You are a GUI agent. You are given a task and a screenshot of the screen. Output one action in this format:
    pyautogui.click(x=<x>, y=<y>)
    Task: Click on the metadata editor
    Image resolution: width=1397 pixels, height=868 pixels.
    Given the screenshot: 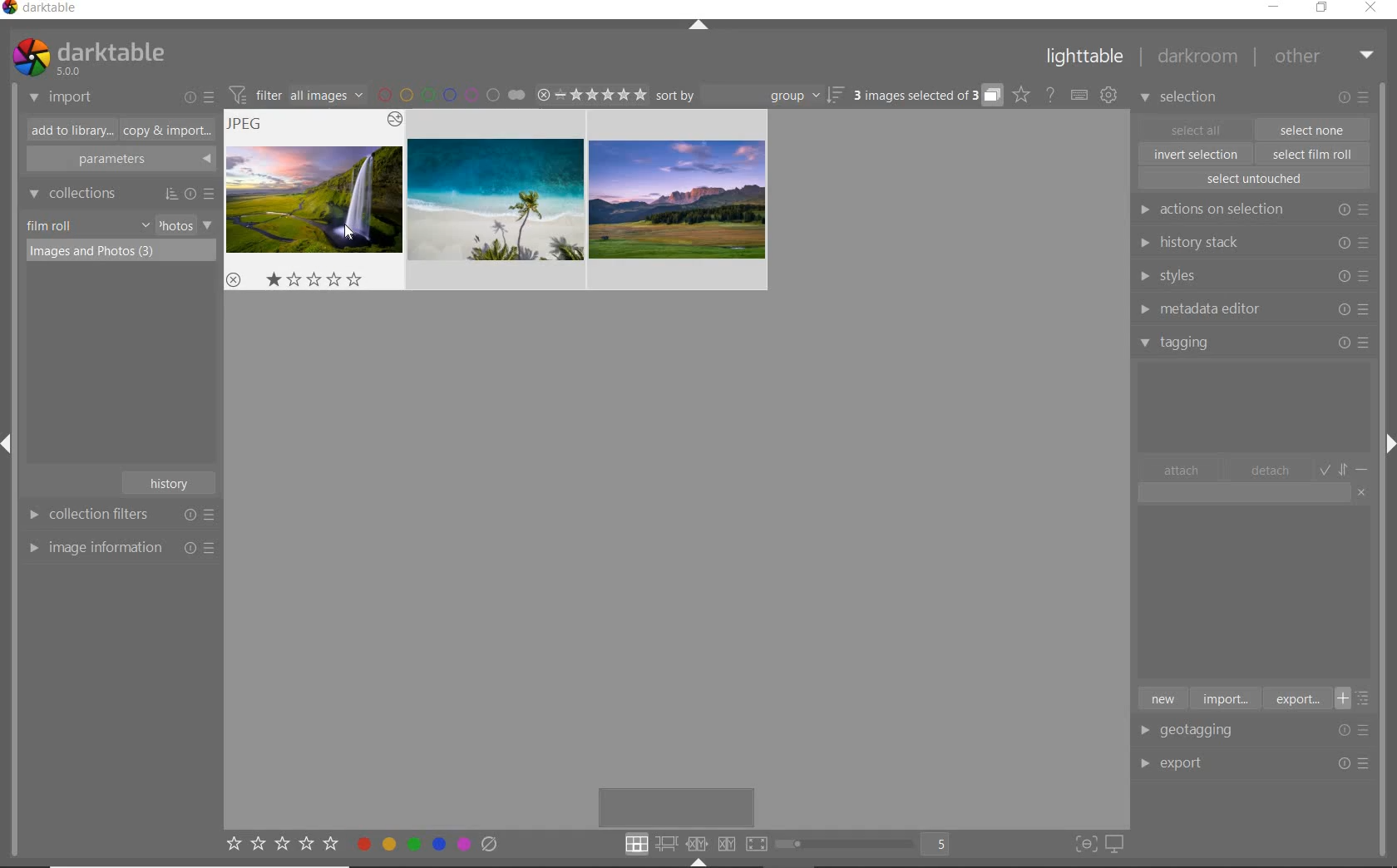 What is the action you would take?
    pyautogui.click(x=1251, y=309)
    